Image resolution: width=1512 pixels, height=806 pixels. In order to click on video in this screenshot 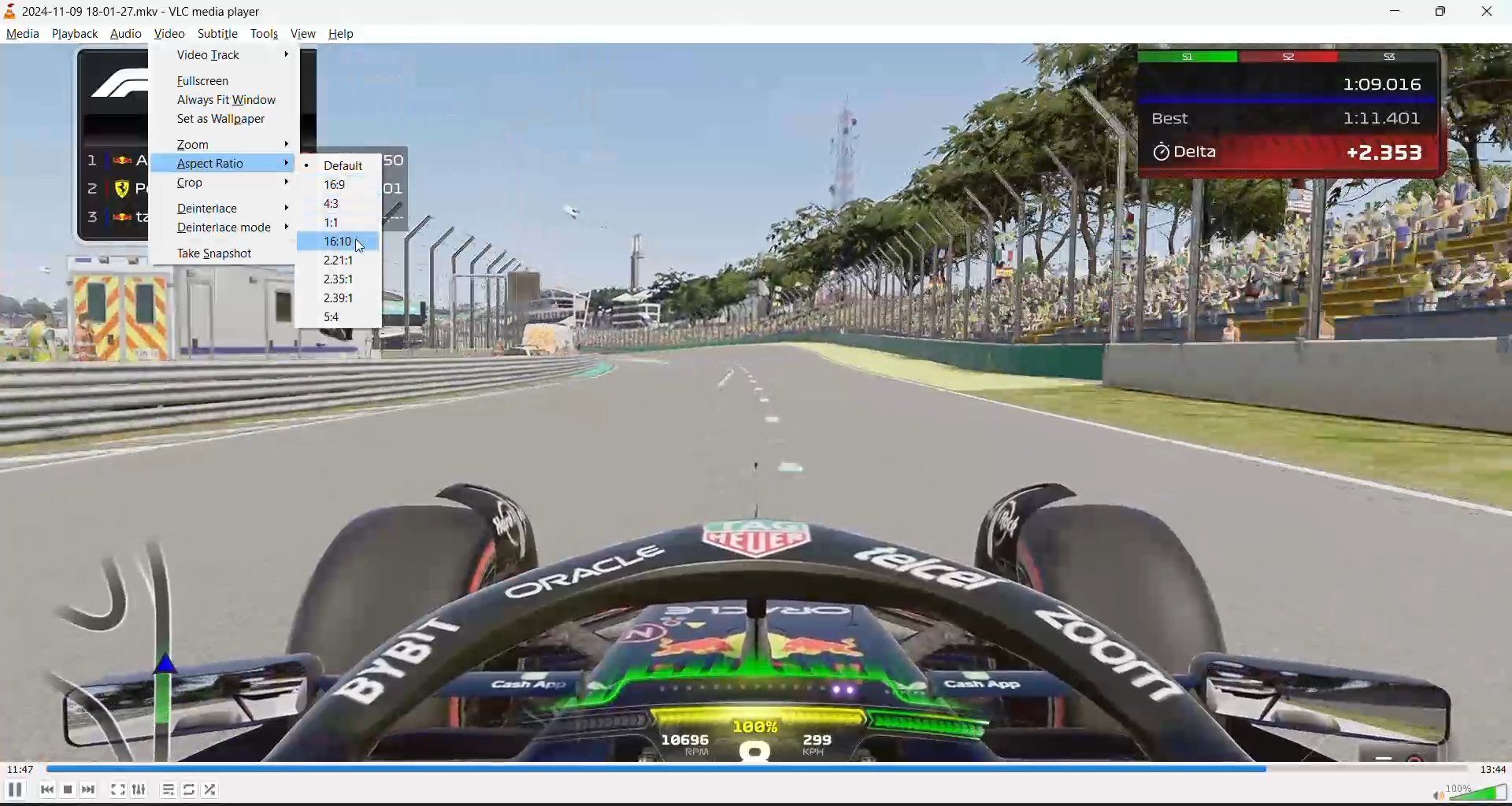, I will do `click(172, 35)`.